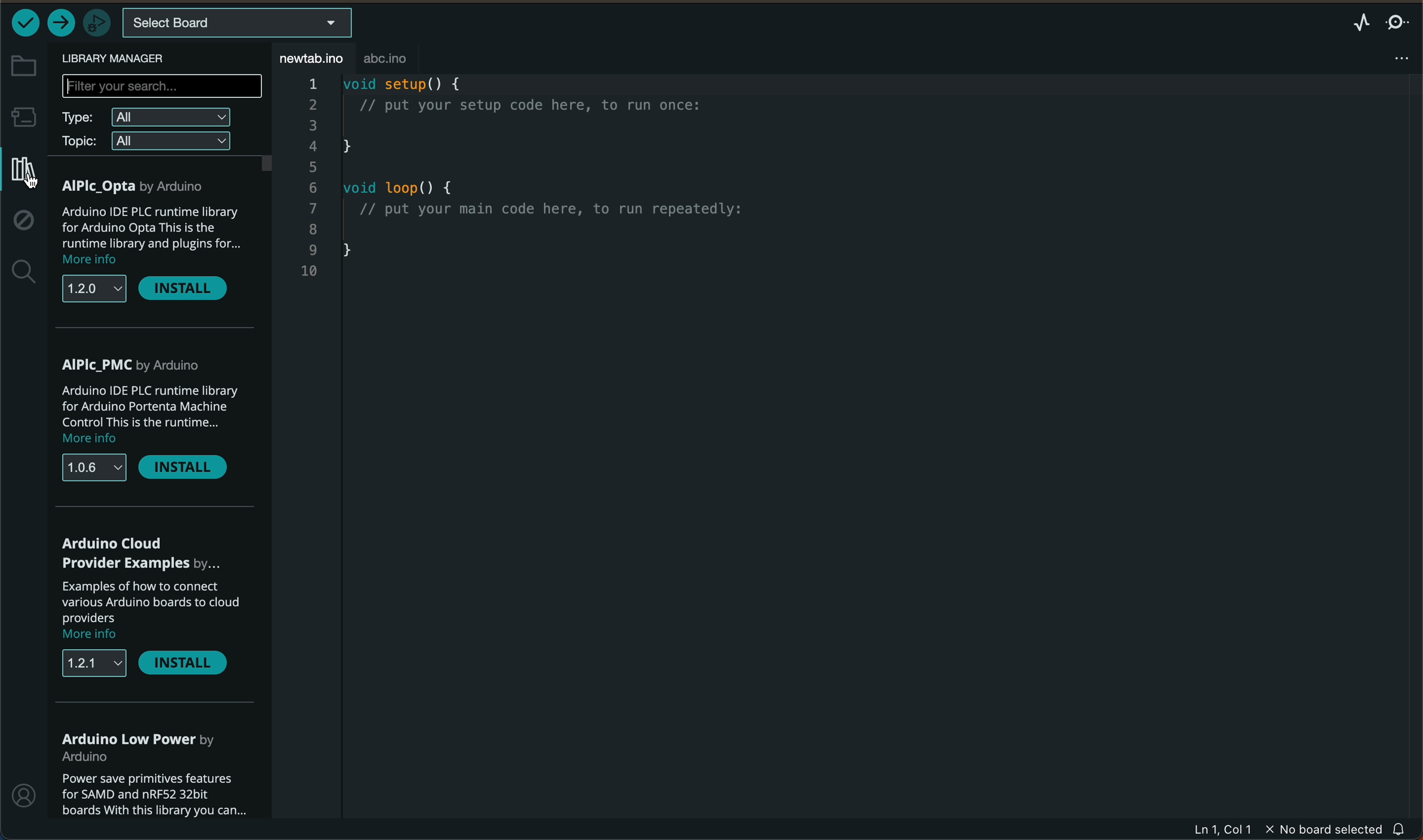  I want to click on file information, so click(1285, 829).